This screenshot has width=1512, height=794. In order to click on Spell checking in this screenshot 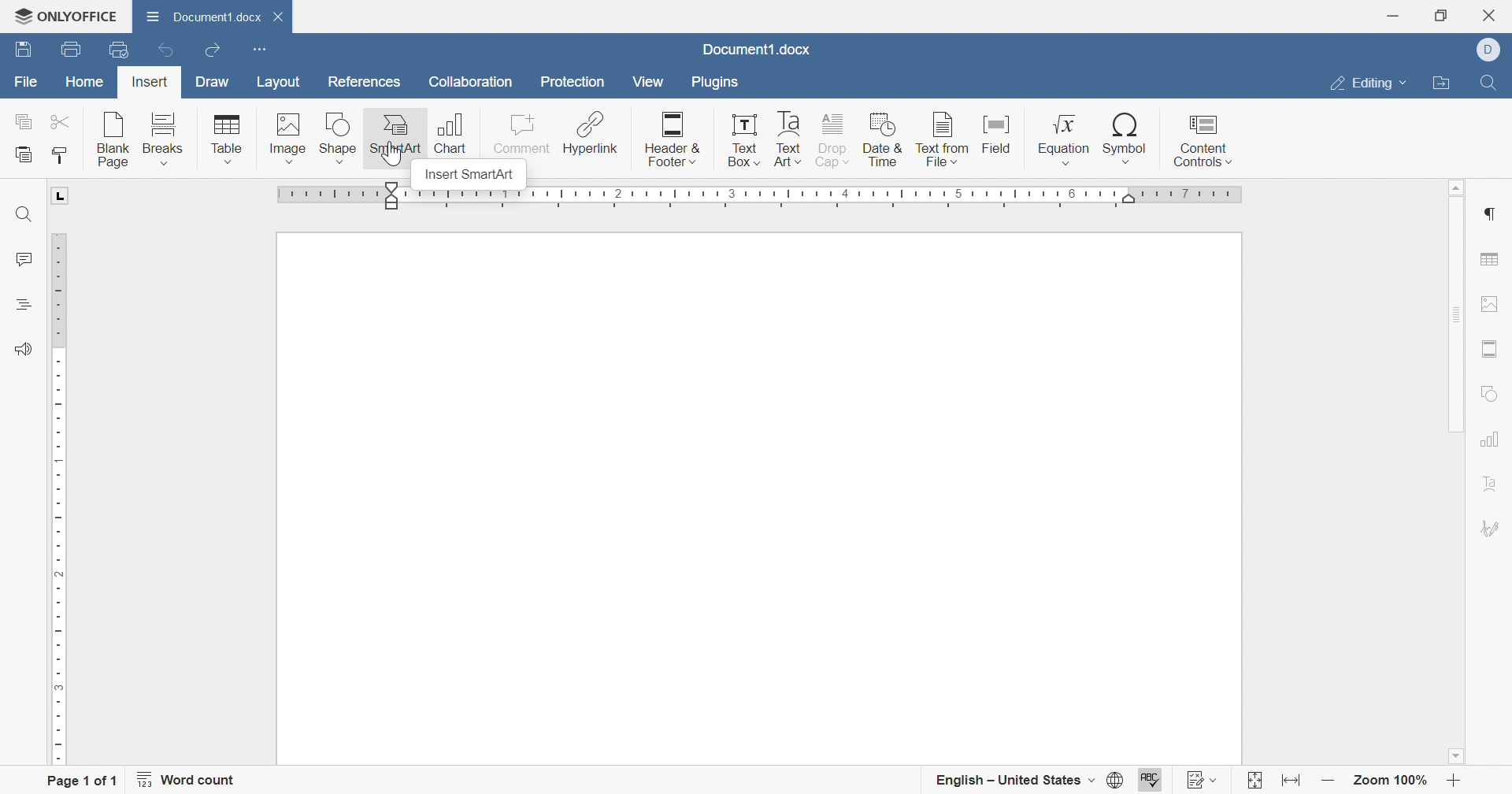, I will do `click(1151, 778)`.